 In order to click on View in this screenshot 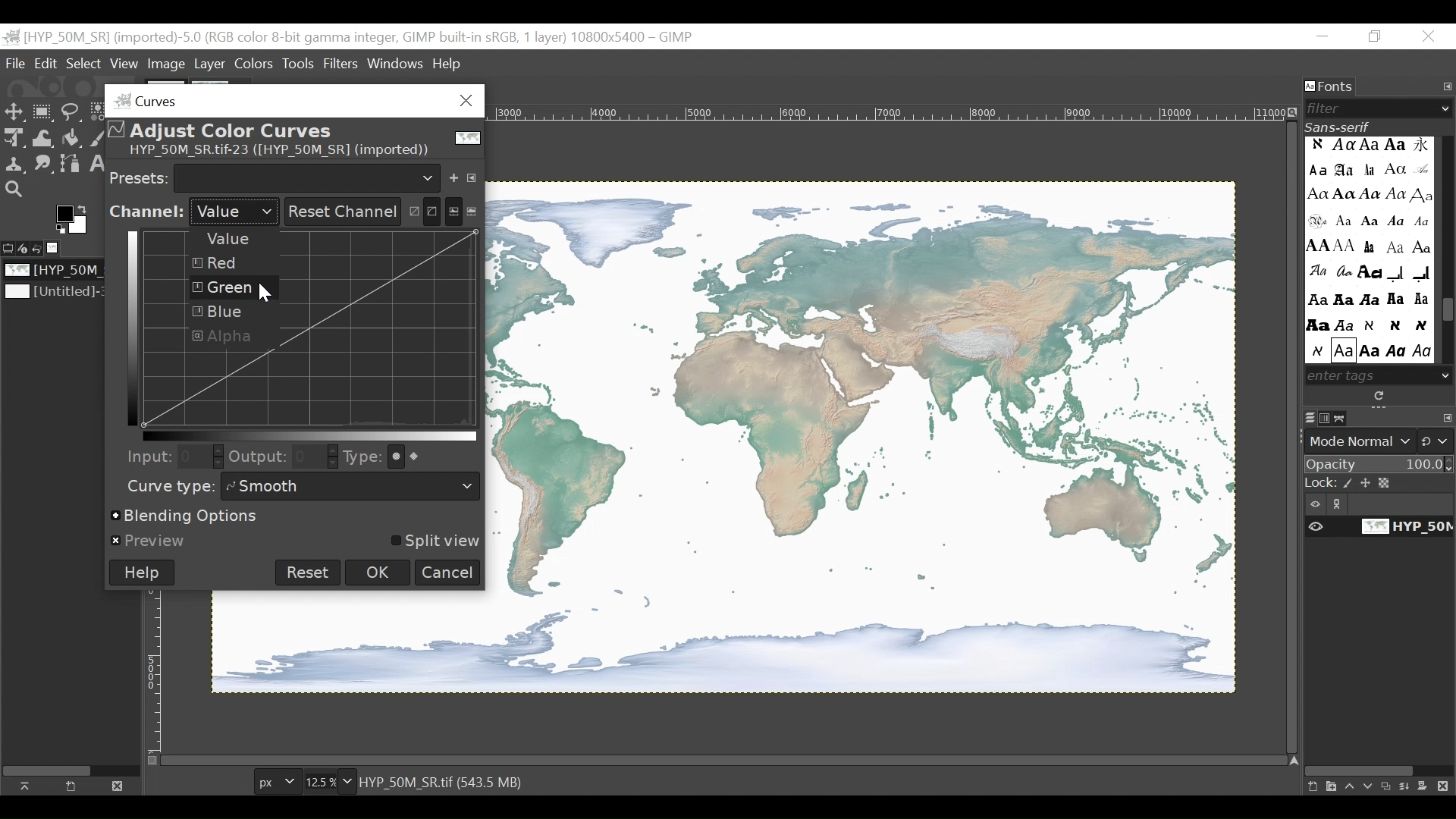, I will do `click(124, 64)`.